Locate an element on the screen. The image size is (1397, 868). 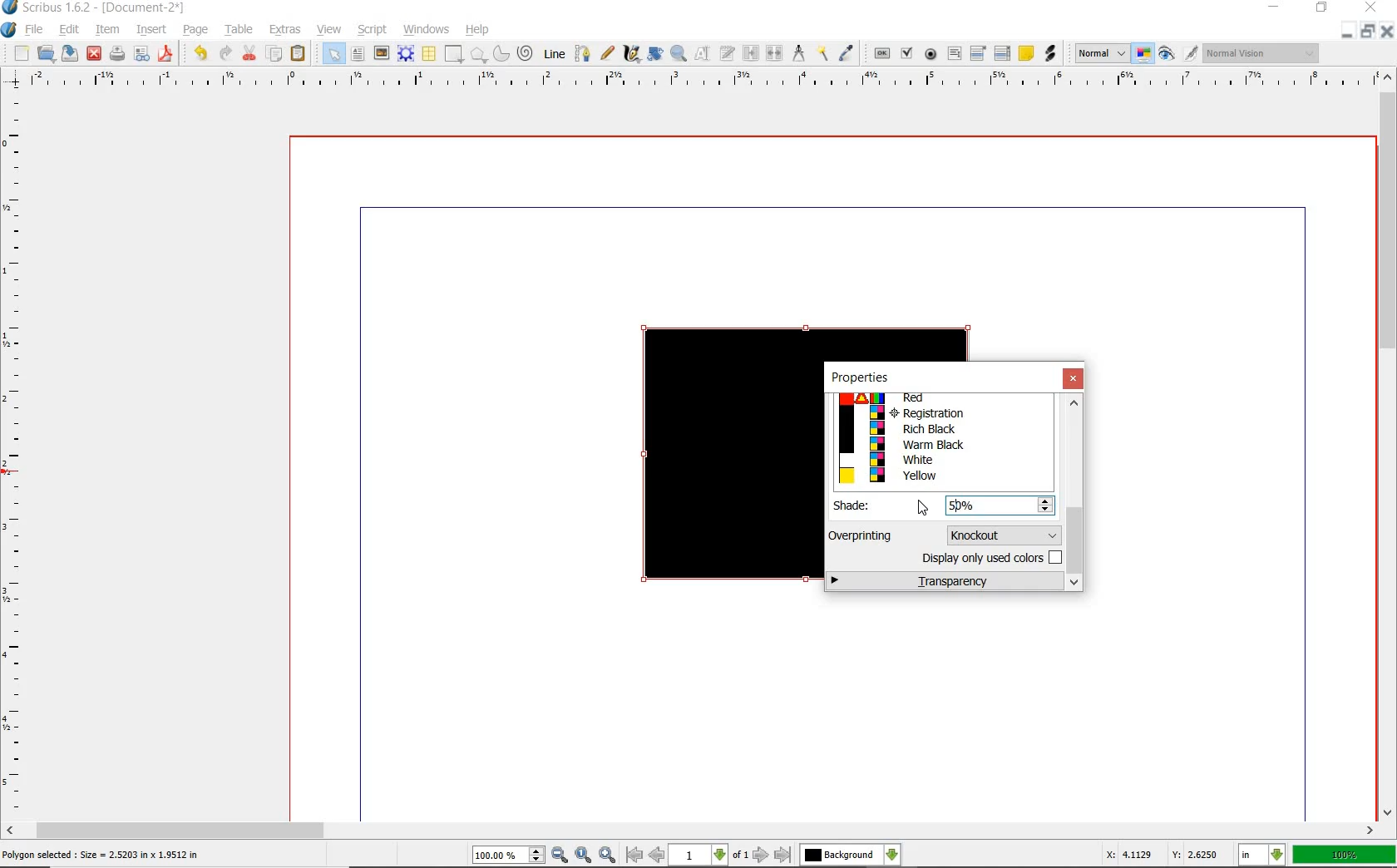
scrollbar is located at coordinates (1387, 445).